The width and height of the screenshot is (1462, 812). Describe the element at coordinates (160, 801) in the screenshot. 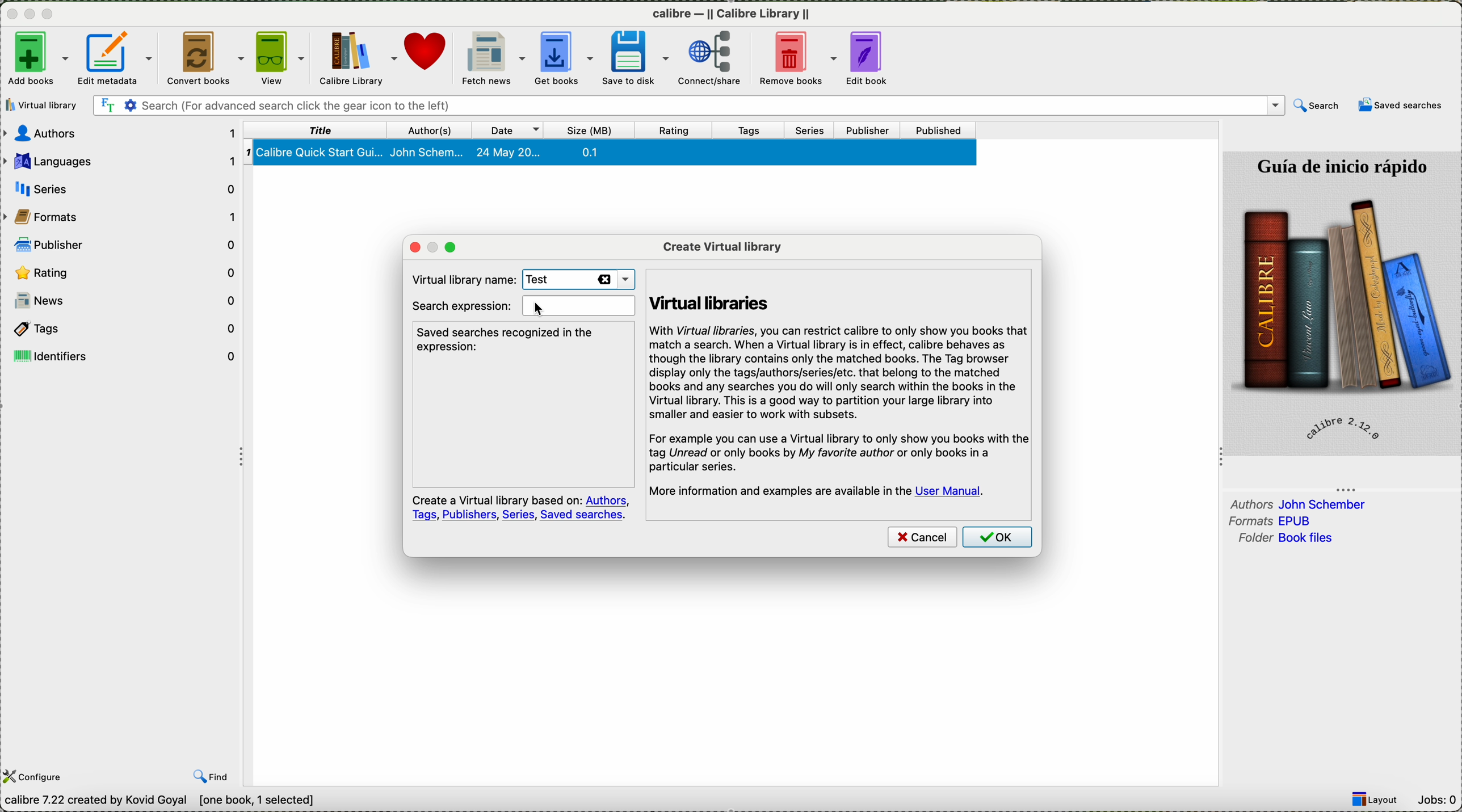

I see `Callibre 7.22 created by Kavid Goyal [one book,1 selected]` at that location.